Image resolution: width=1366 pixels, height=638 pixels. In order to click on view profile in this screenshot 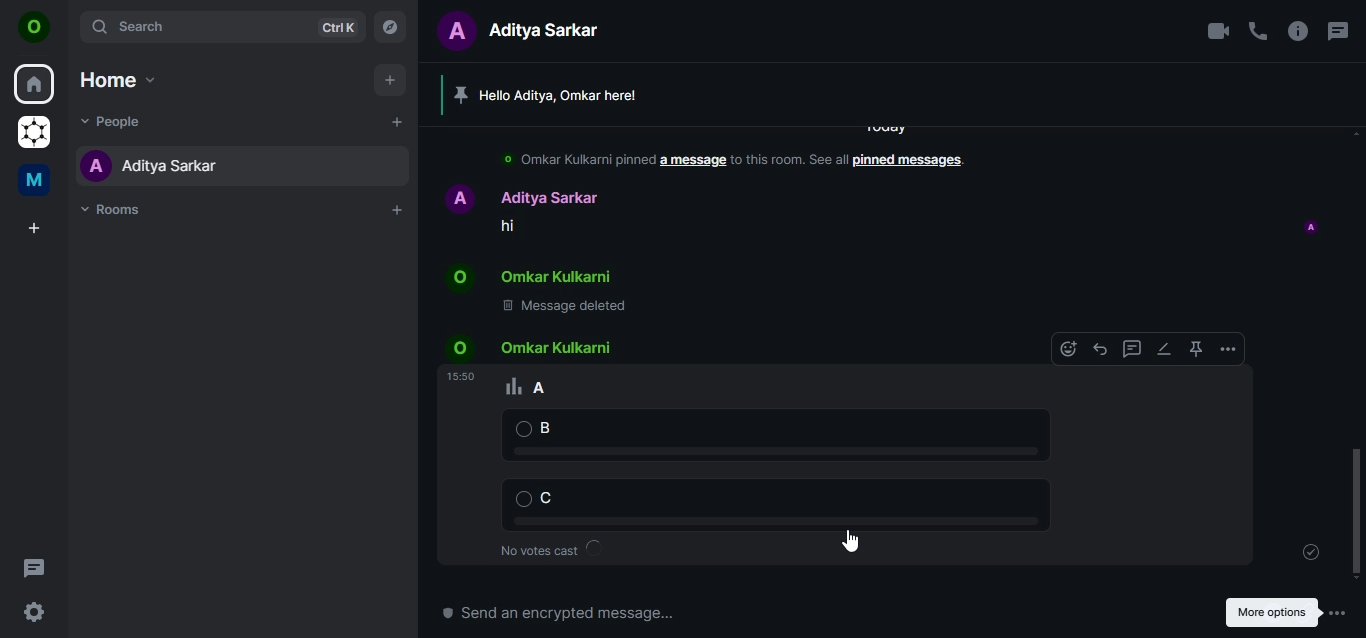, I will do `click(35, 29)`.